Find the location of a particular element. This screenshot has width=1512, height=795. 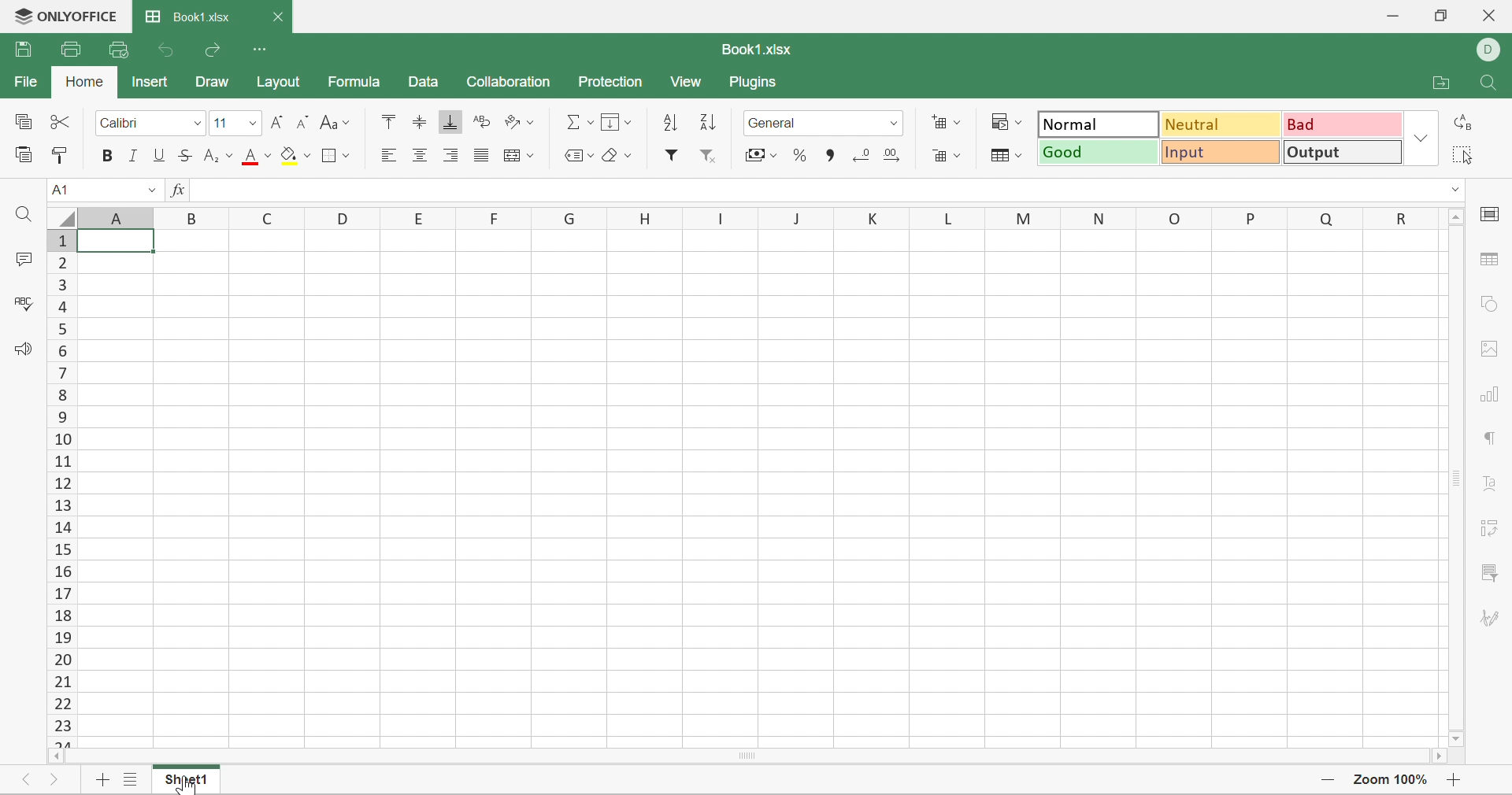

General is located at coordinates (815, 124).